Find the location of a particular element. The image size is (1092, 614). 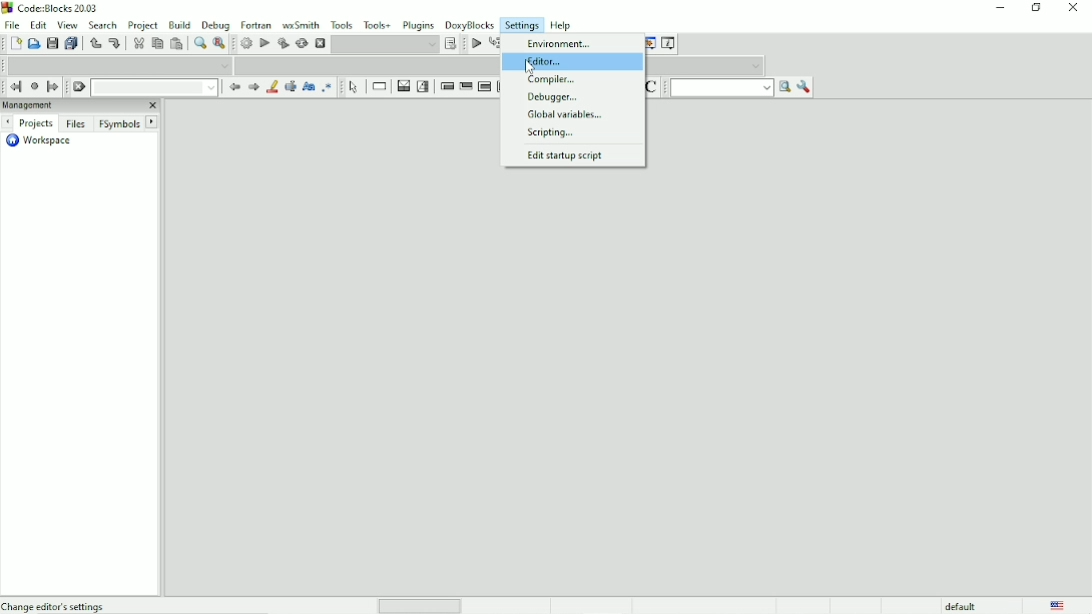

Counting loop is located at coordinates (484, 86).